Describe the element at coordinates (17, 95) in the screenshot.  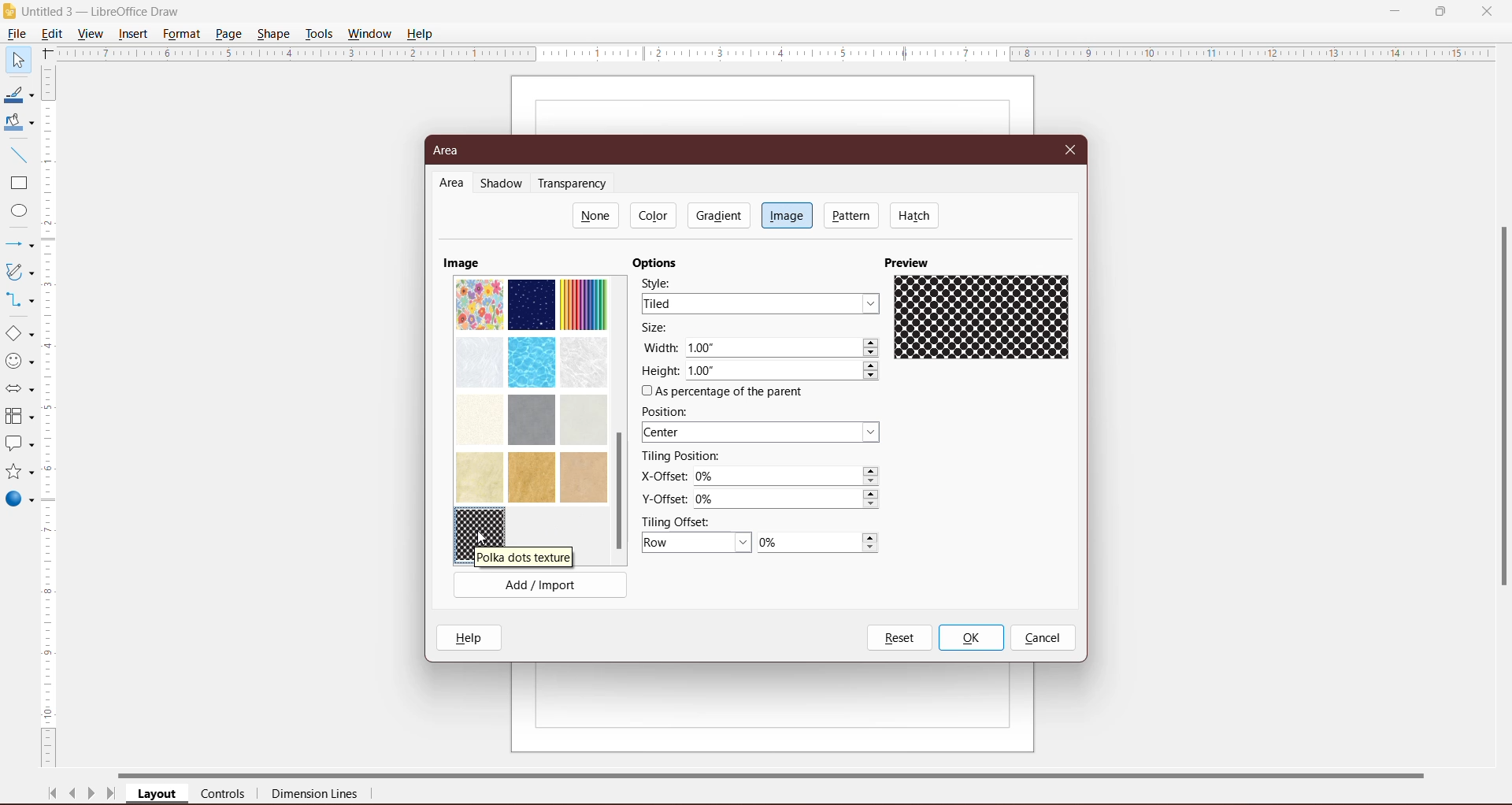
I see `Line Color` at that location.